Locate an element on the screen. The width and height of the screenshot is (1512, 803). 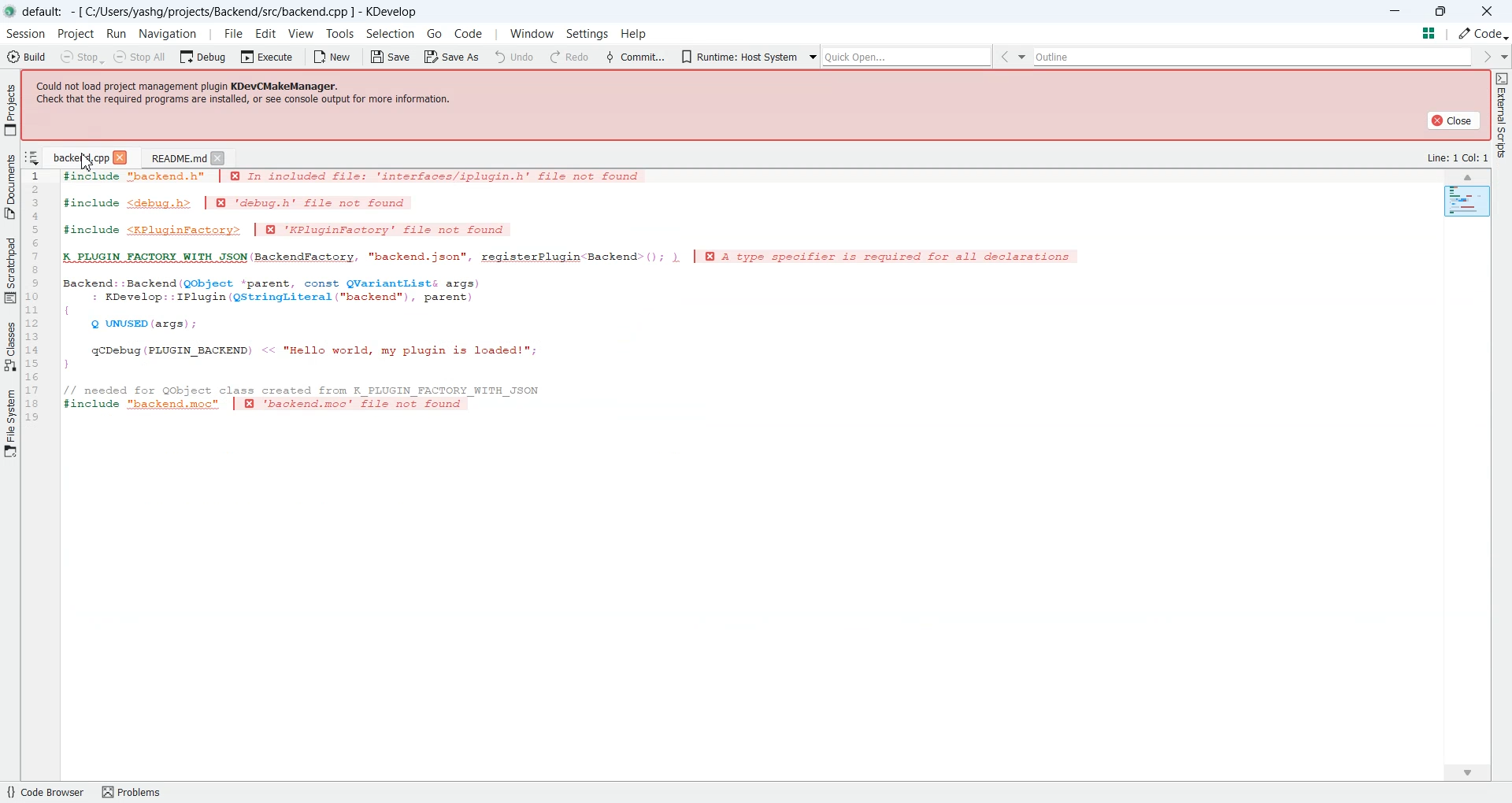
README.md is located at coordinates (176, 157).